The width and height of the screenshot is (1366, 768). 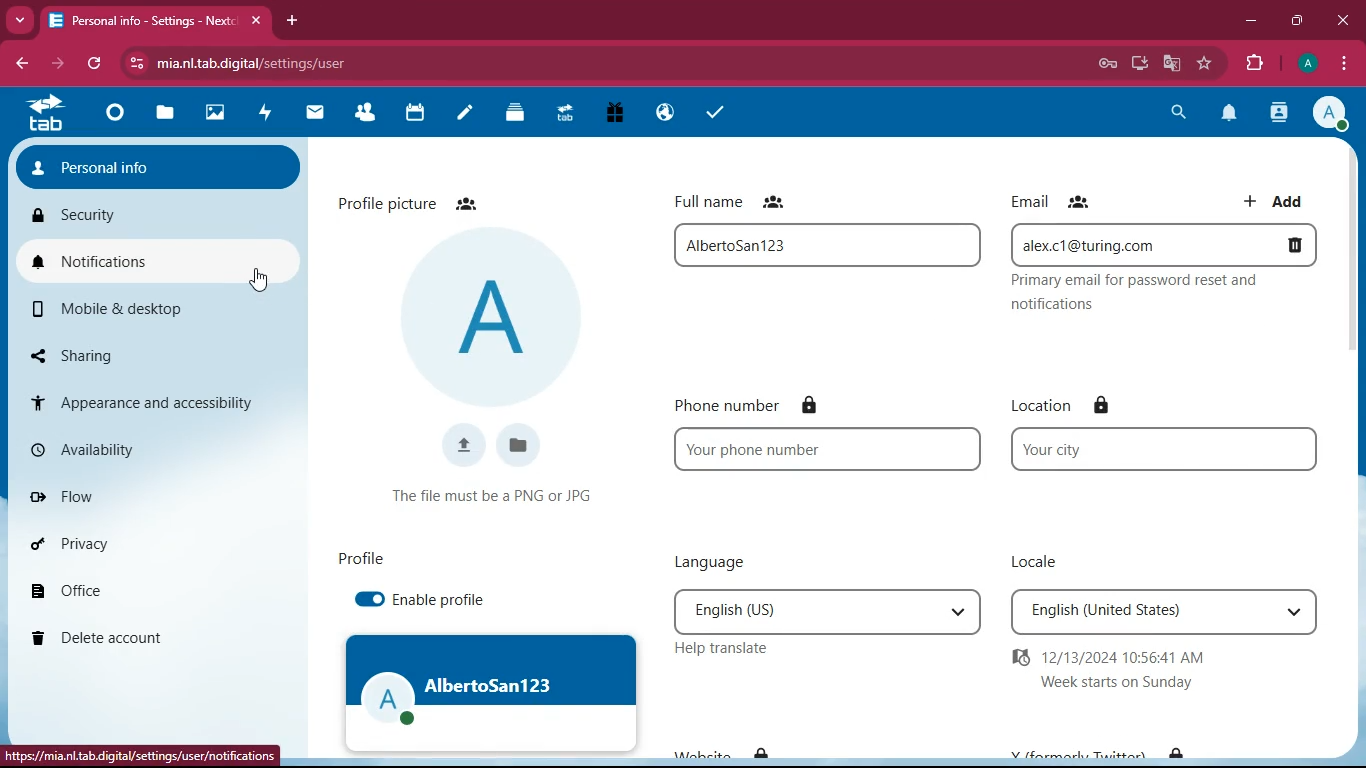 What do you see at coordinates (1253, 65) in the screenshot?
I see `extensions` at bounding box center [1253, 65].